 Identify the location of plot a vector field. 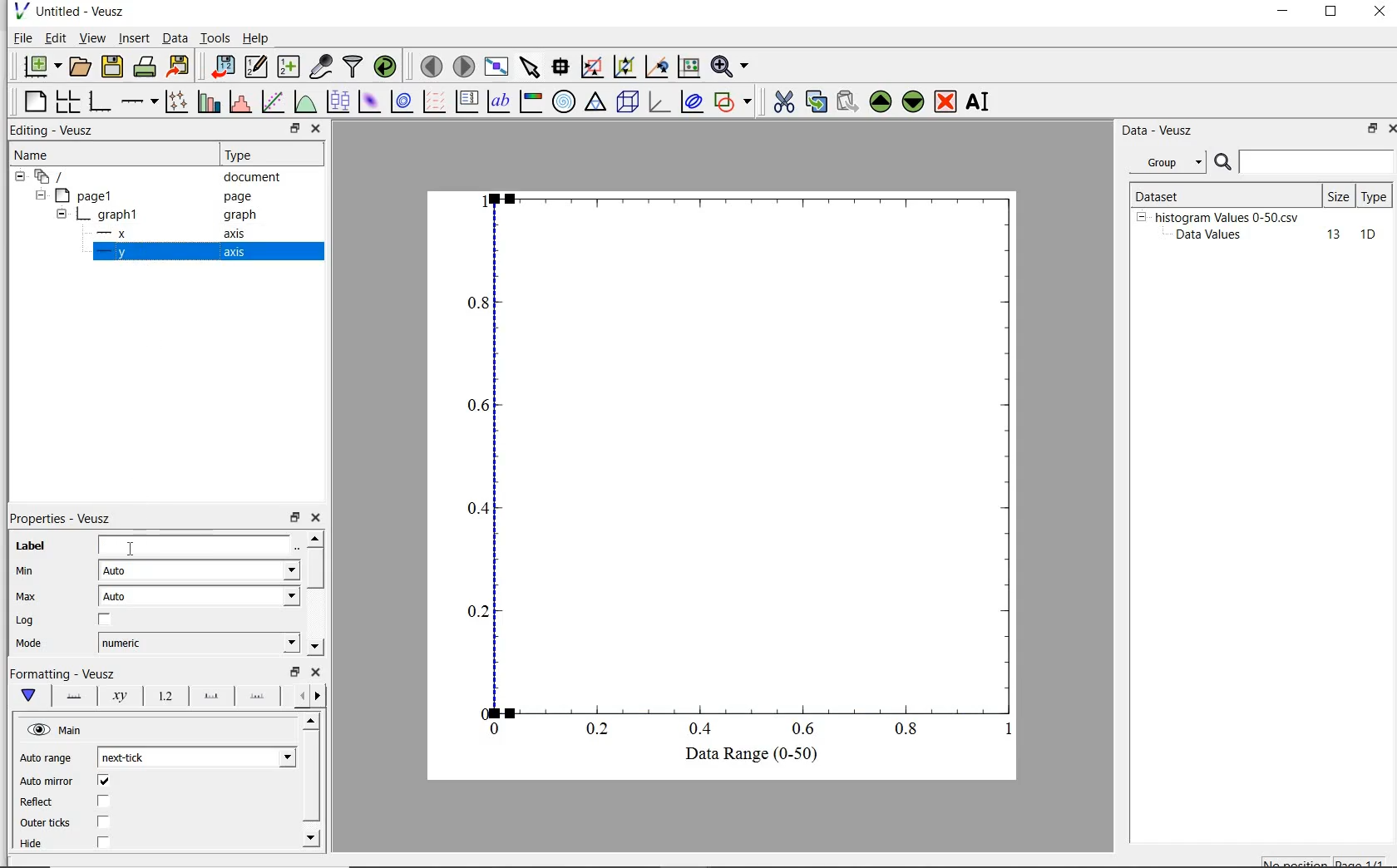
(436, 101).